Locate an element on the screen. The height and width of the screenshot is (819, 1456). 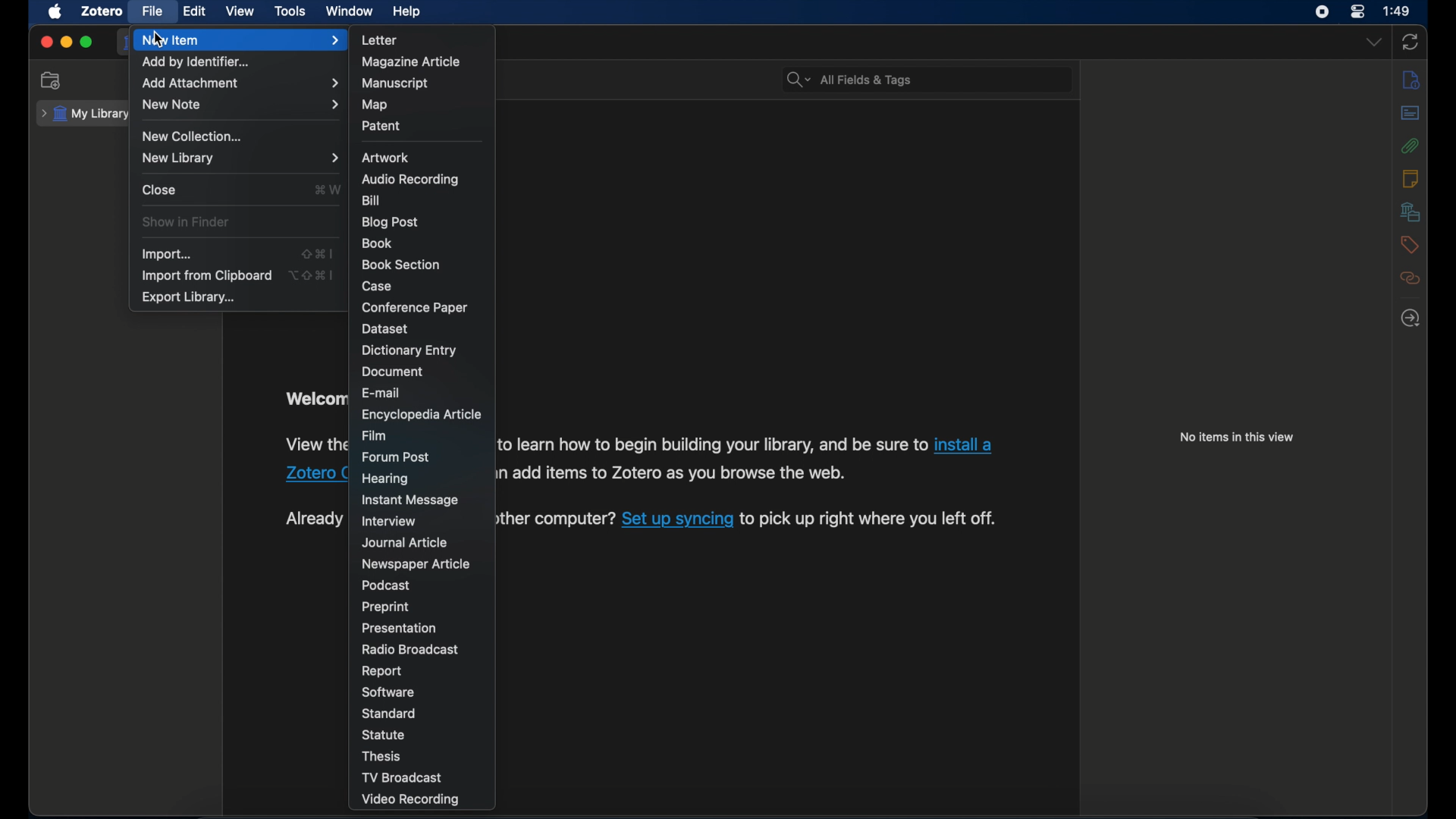
no items in this view is located at coordinates (1238, 437).